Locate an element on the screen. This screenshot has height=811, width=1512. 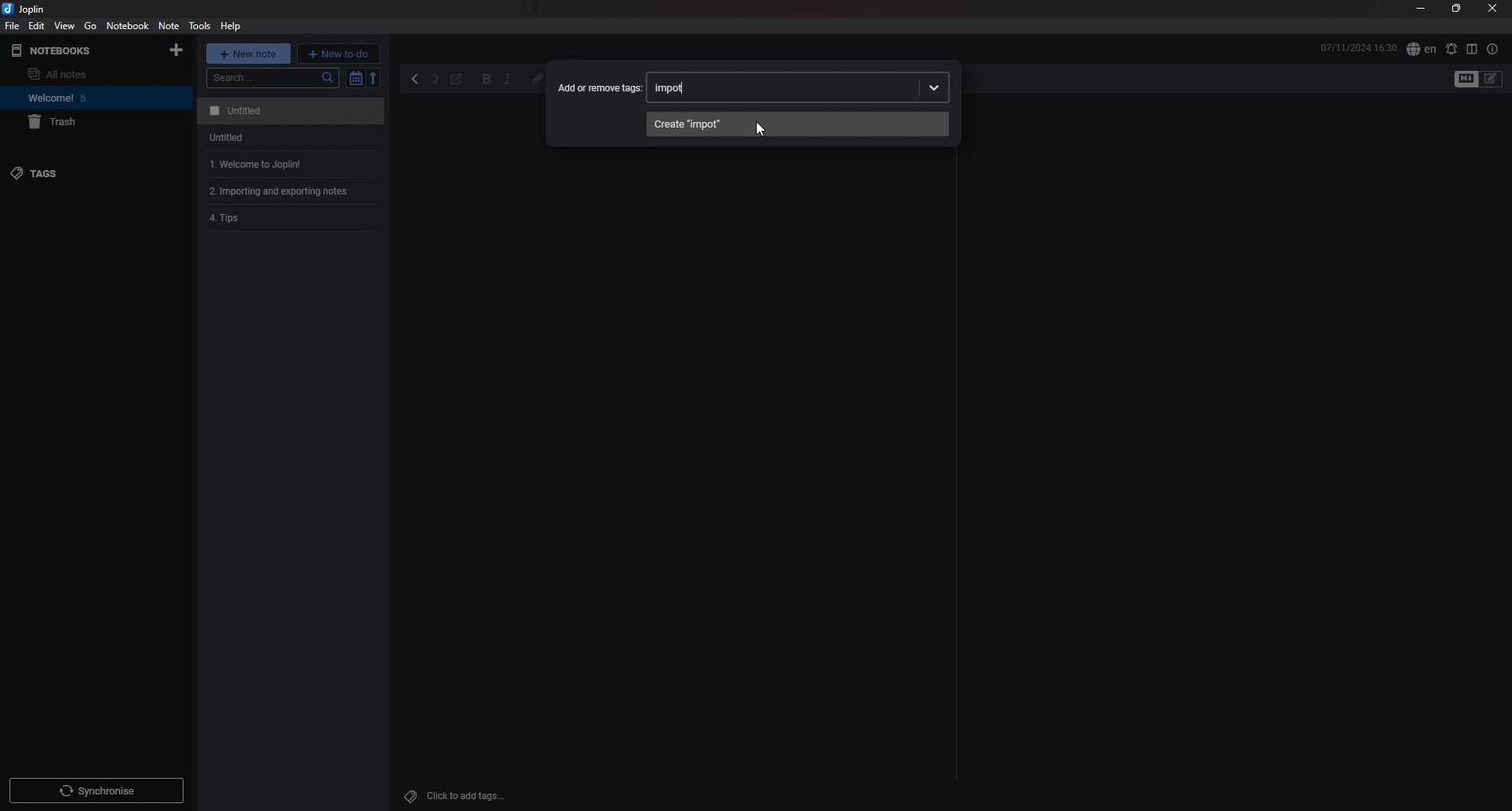
note properties is located at coordinates (1492, 49).